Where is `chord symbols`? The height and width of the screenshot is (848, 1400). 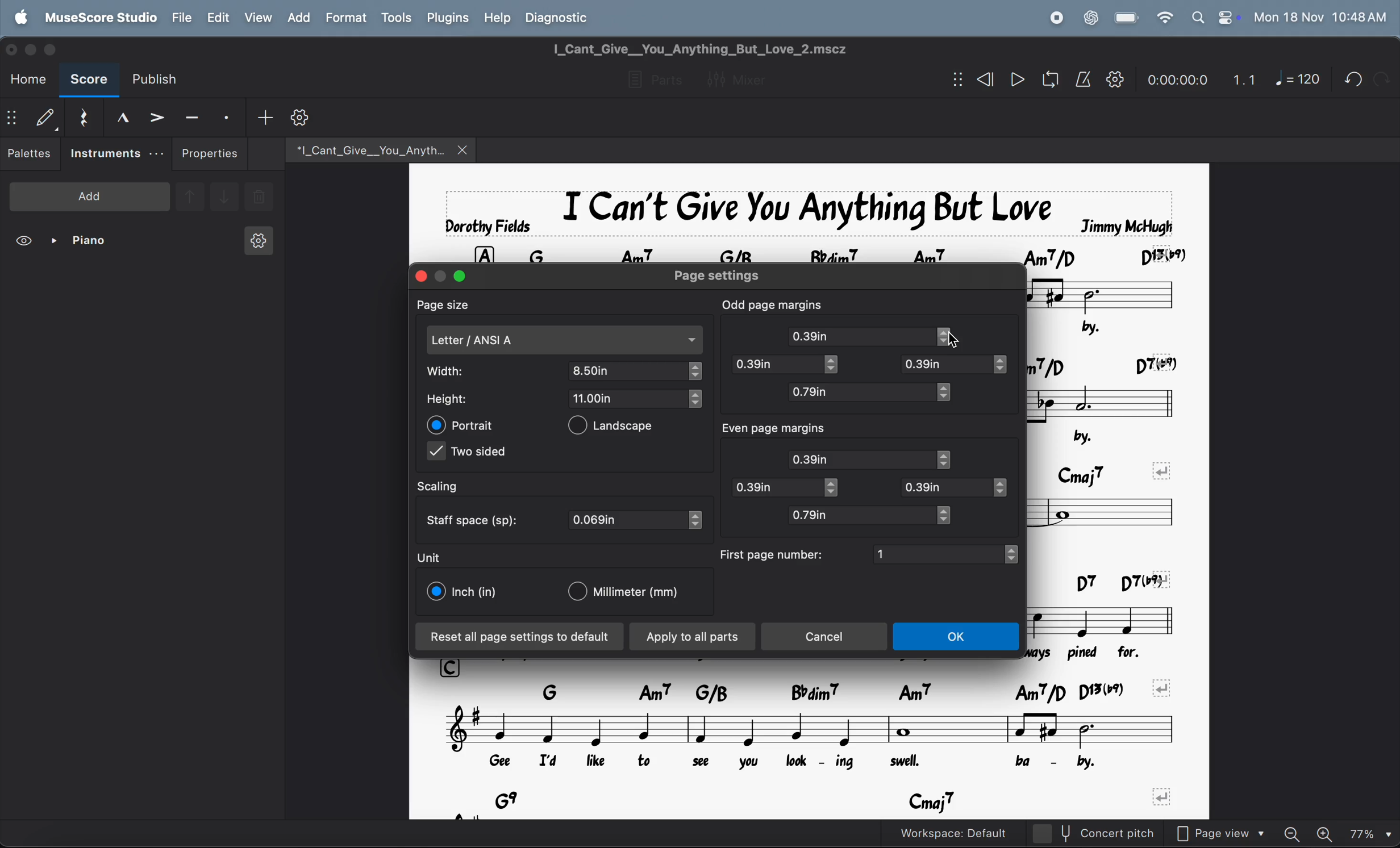
chord symbols is located at coordinates (837, 802).